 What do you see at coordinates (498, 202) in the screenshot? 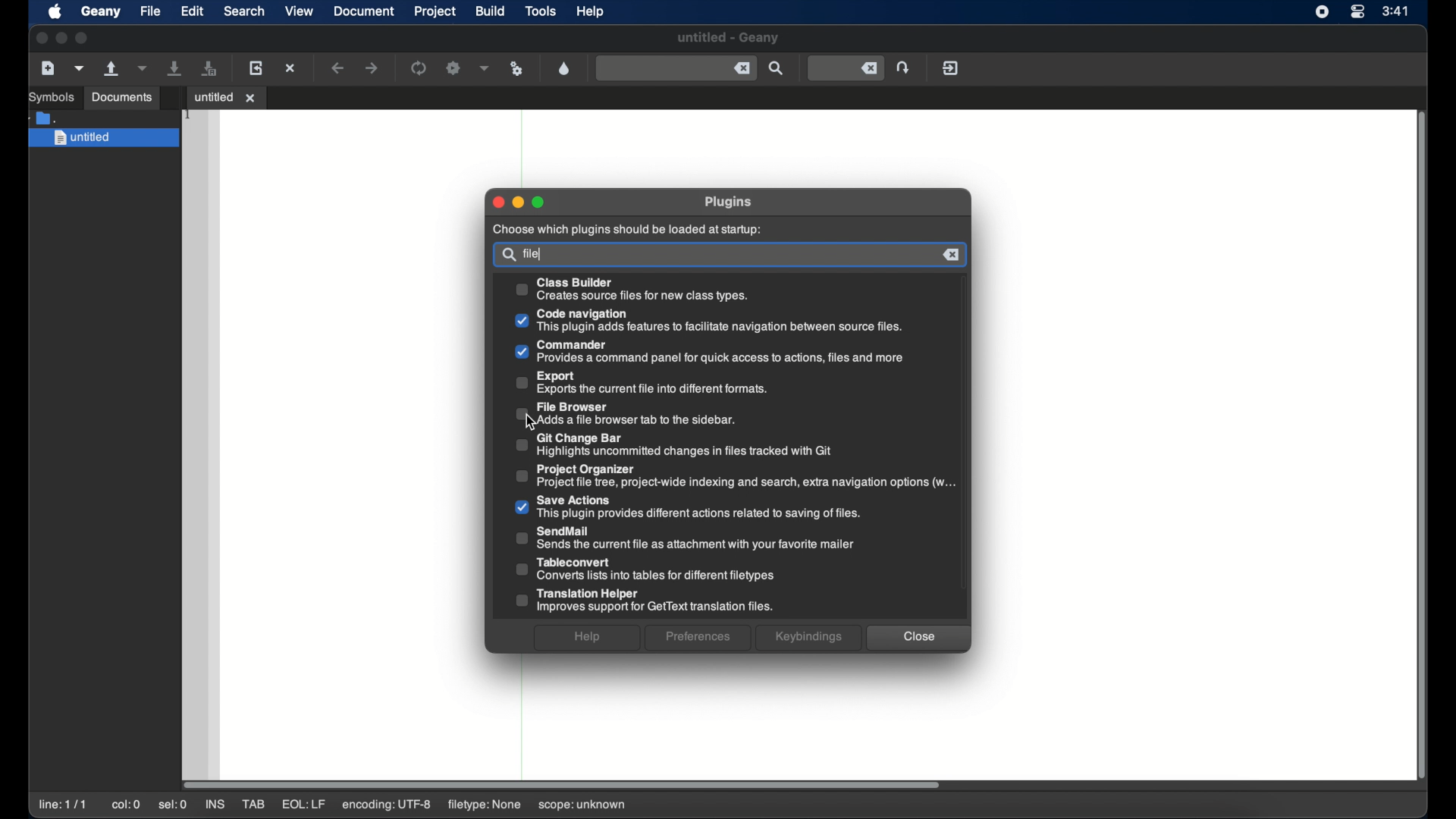
I see `` at bounding box center [498, 202].